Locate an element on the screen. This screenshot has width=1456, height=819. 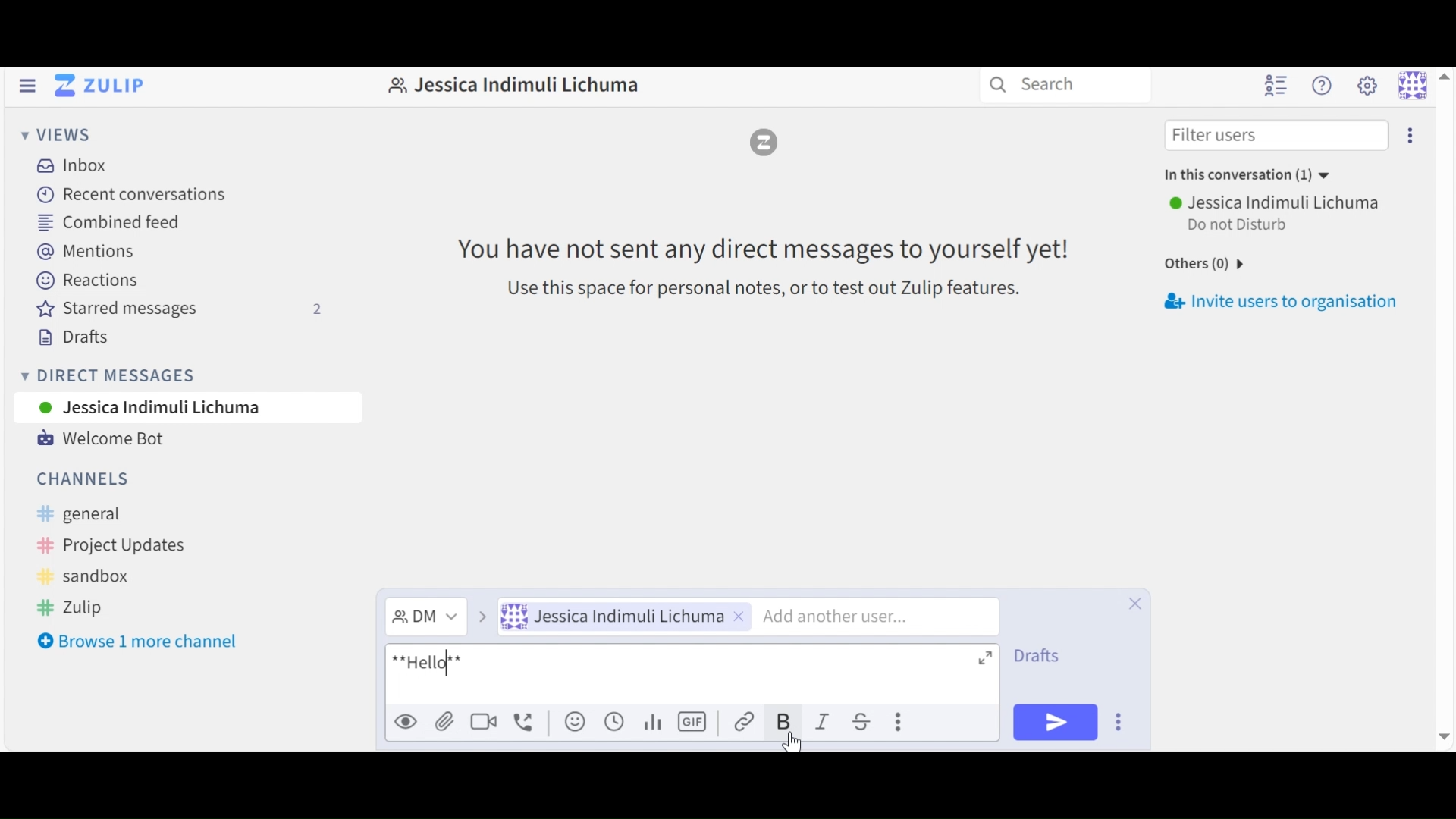
more actions is located at coordinates (900, 723).